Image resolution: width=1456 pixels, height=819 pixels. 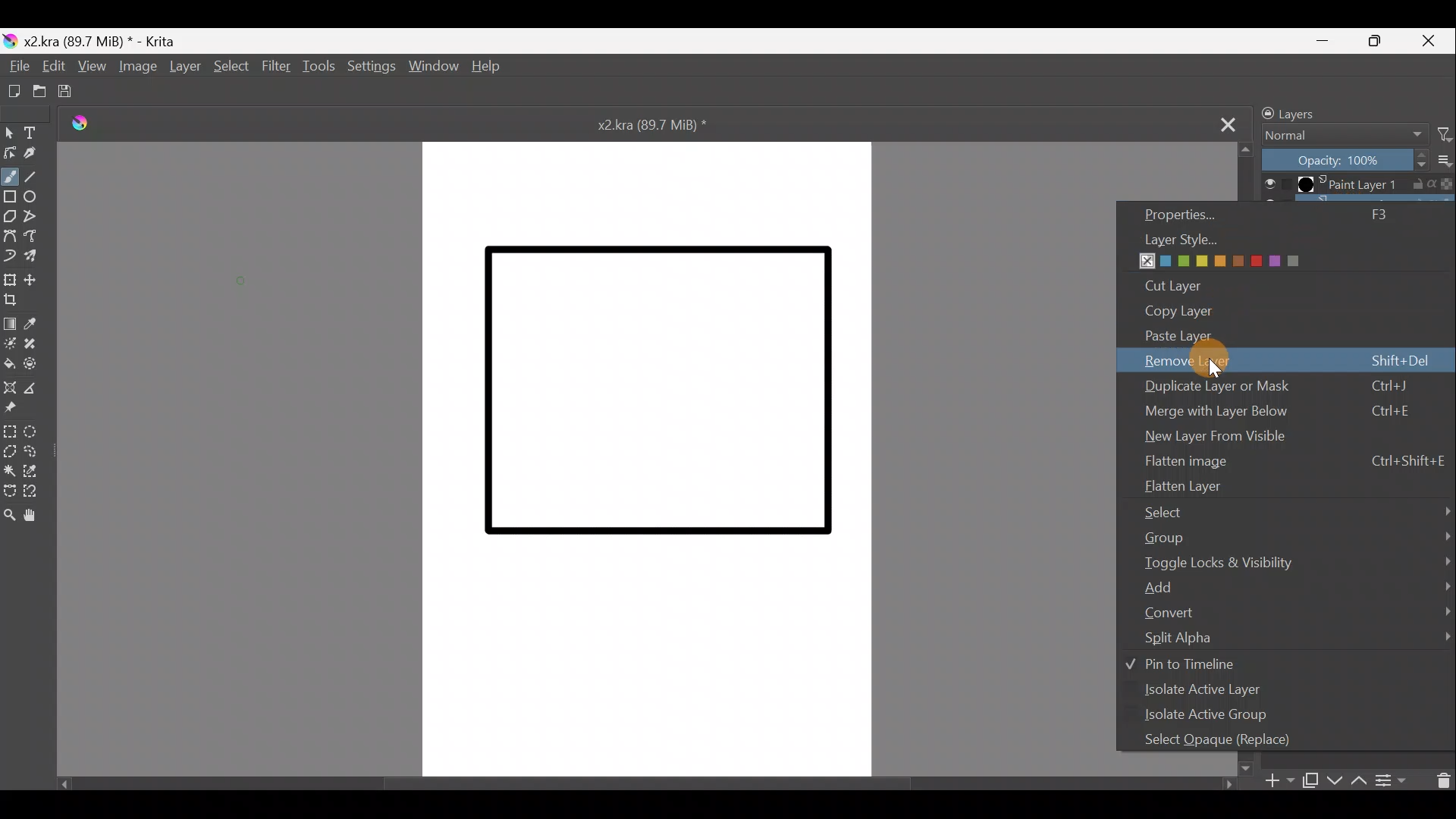 What do you see at coordinates (1230, 739) in the screenshot?
I see `Select opaque (replace)` at bounding box center [1230, 739].